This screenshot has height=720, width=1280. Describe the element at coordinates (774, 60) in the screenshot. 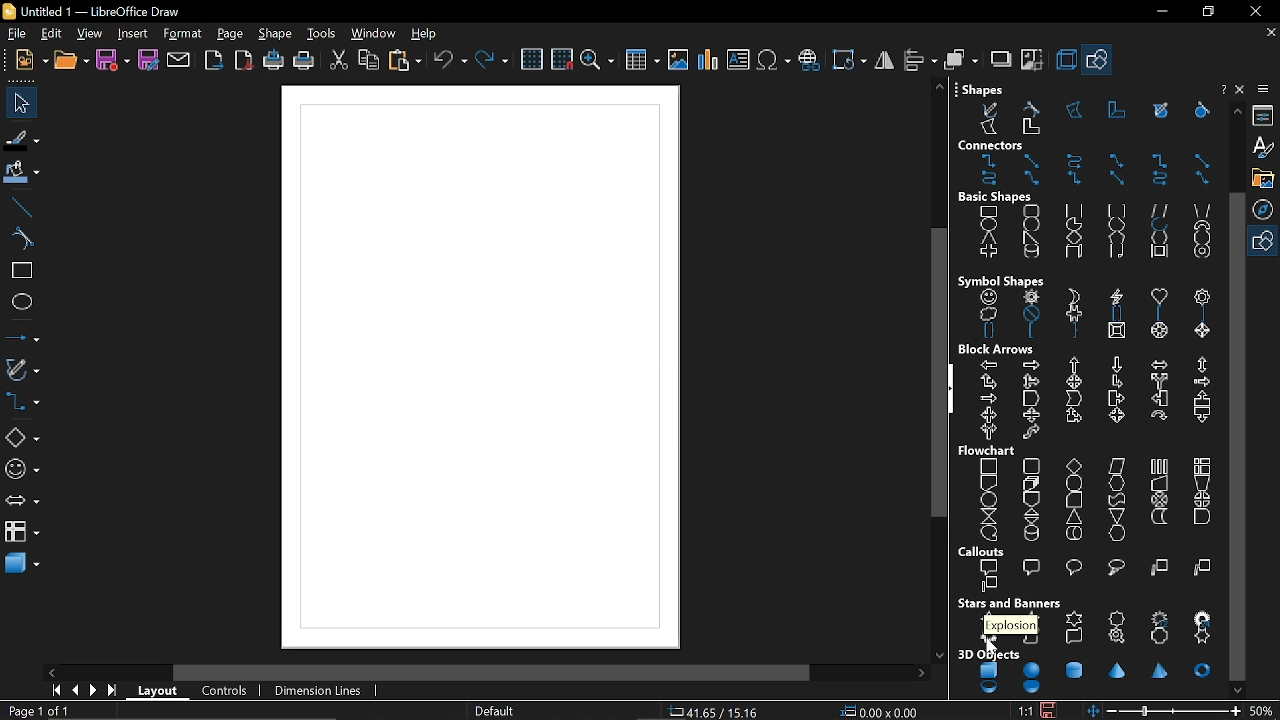

I see `insert symbol` at that location.